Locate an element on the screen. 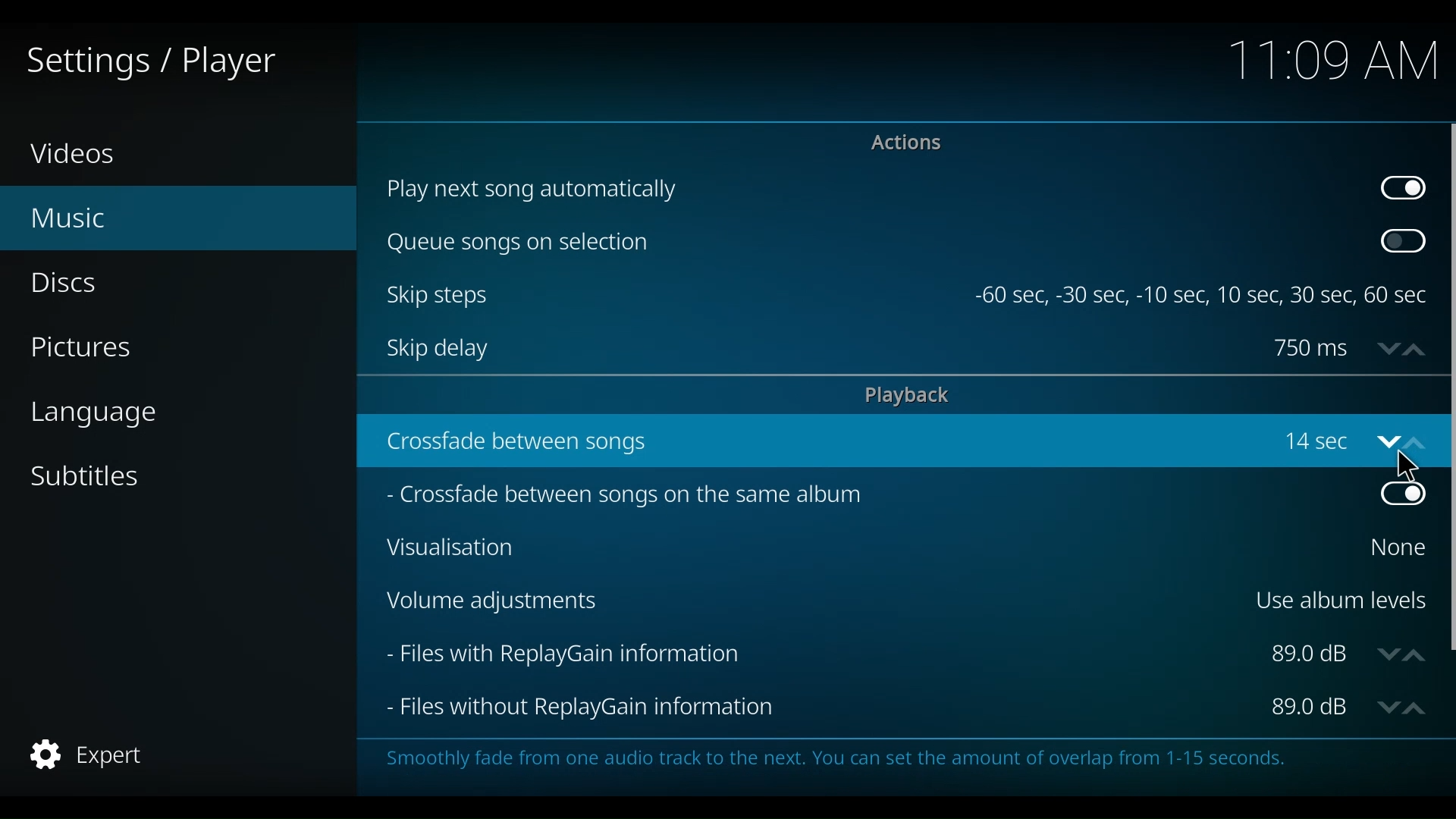 The image size is (1456, 819). -60 sec, -30 sec, -10 sec, 10 sec, 30 sec, 60 sec is located at coordinates (1200, 297).